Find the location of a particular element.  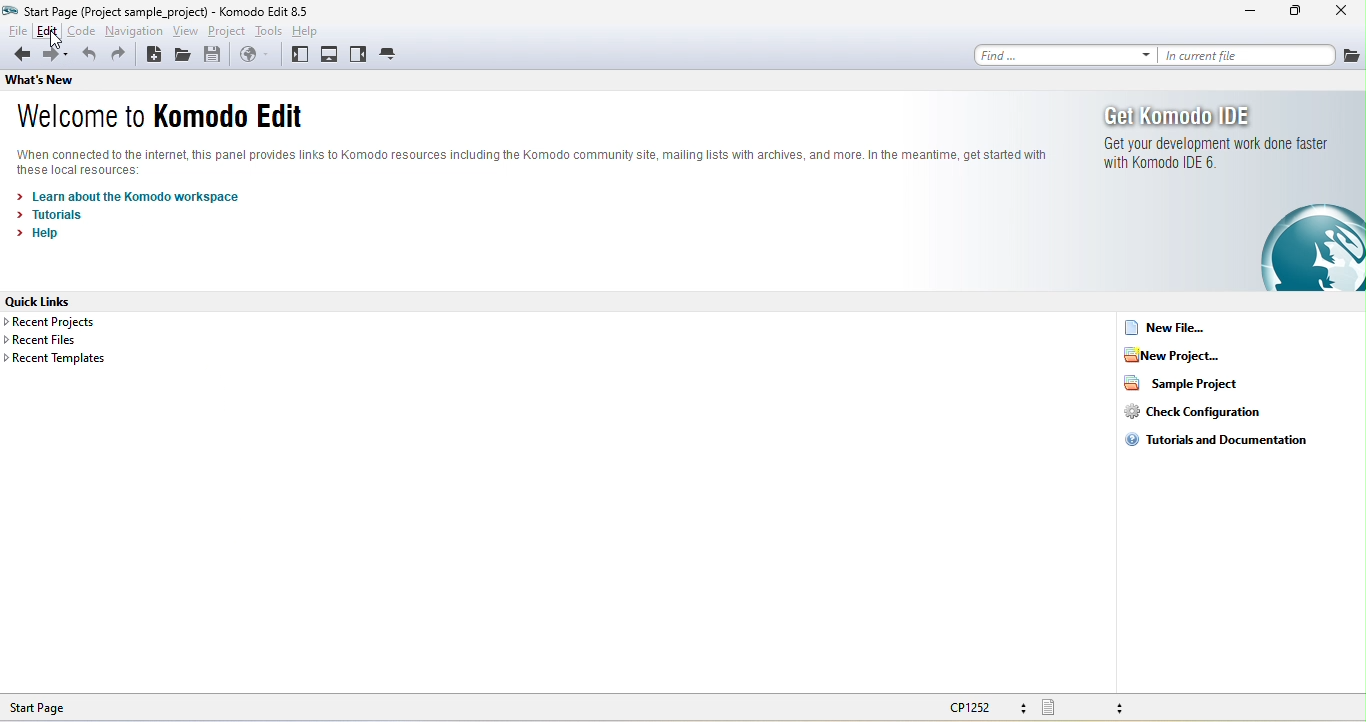

help is located at coordinates (34, 235).